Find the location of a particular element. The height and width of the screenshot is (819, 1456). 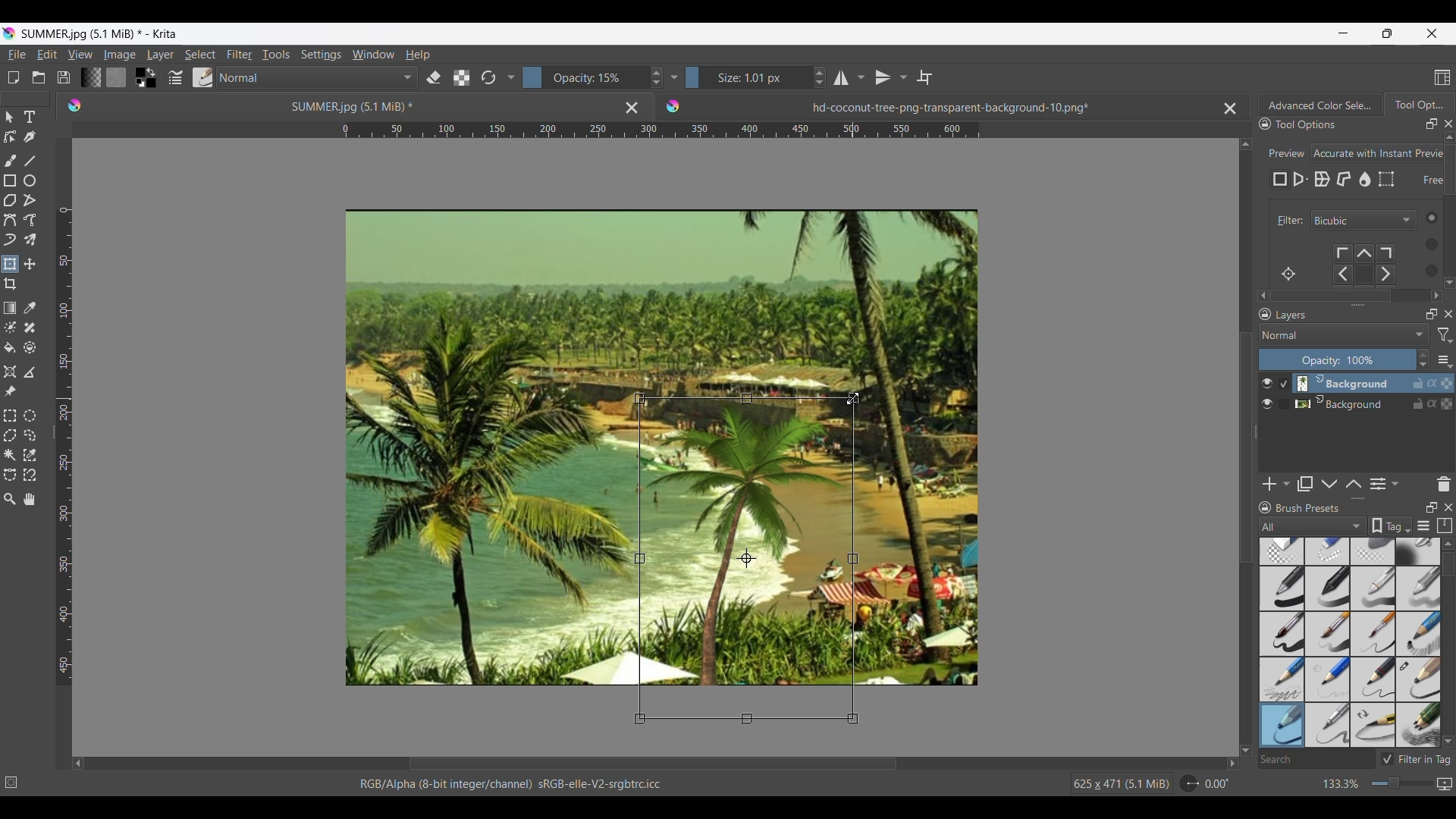

Edit layer properties is located at coordinates (1378, 485).